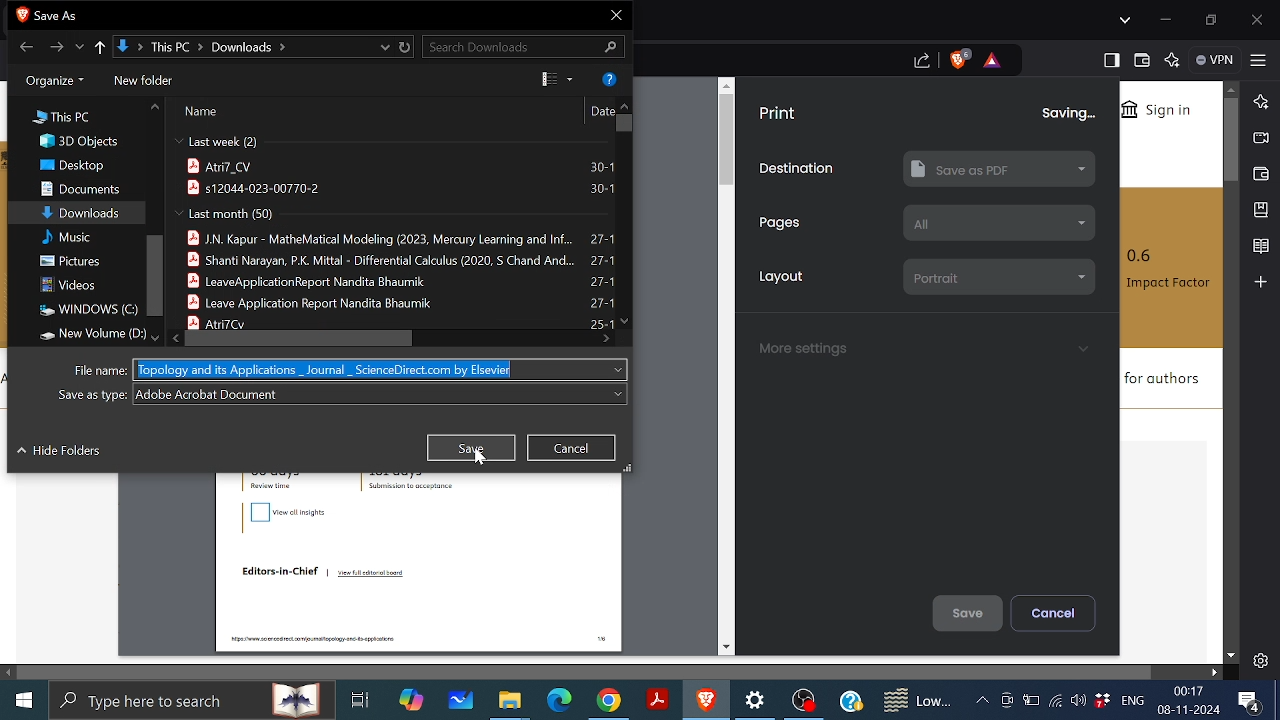 The image size is (1280, 720). Describe the element at coordinates (100, 50) in the screenshot. I see `Up to` at that location.